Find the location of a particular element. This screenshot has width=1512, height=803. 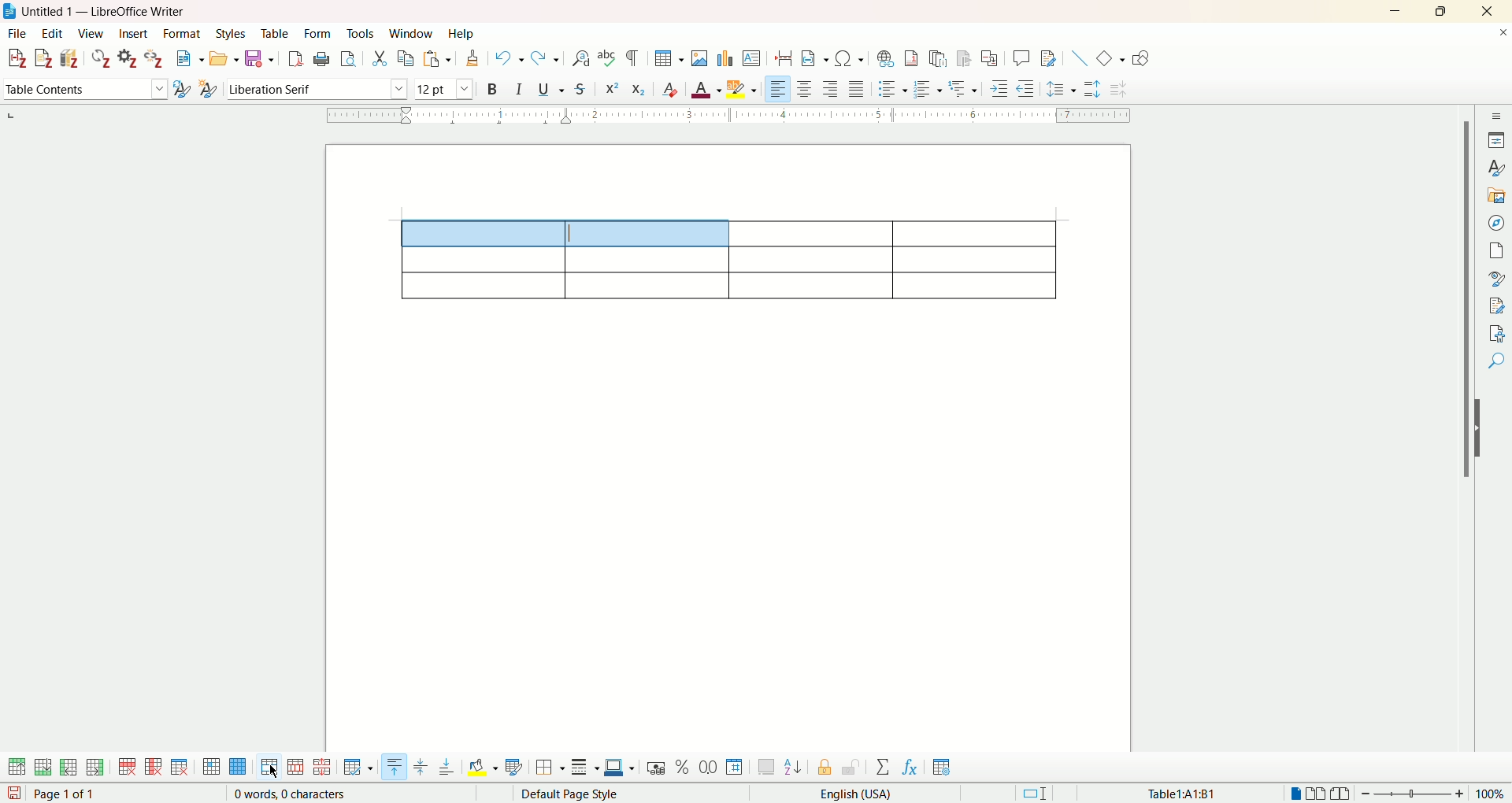

open is located at coordinates (221, 60).